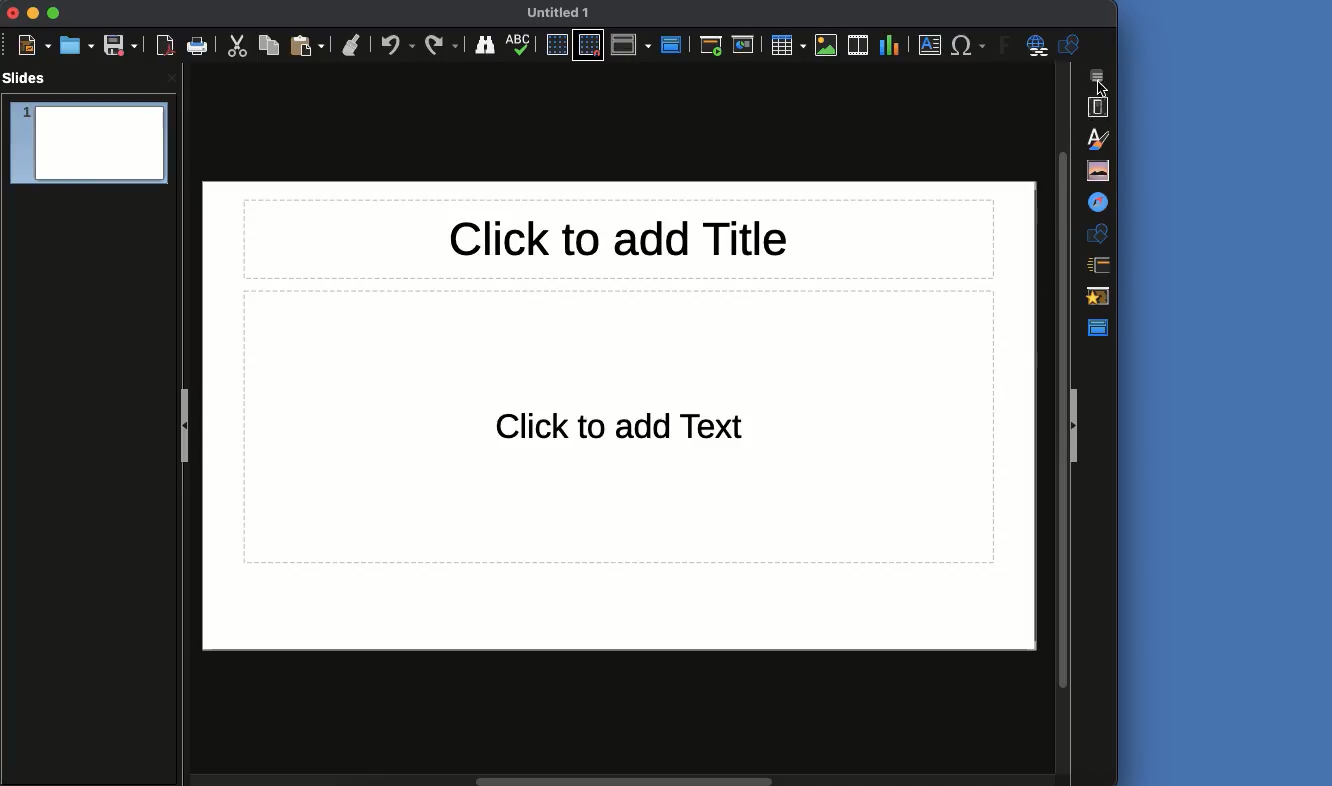 The image size is (1332, 786). What do you see at coordinates (620, 778) in the screenshot?
I see `horizontal Scroll bar` at bounding box center [620, 778].